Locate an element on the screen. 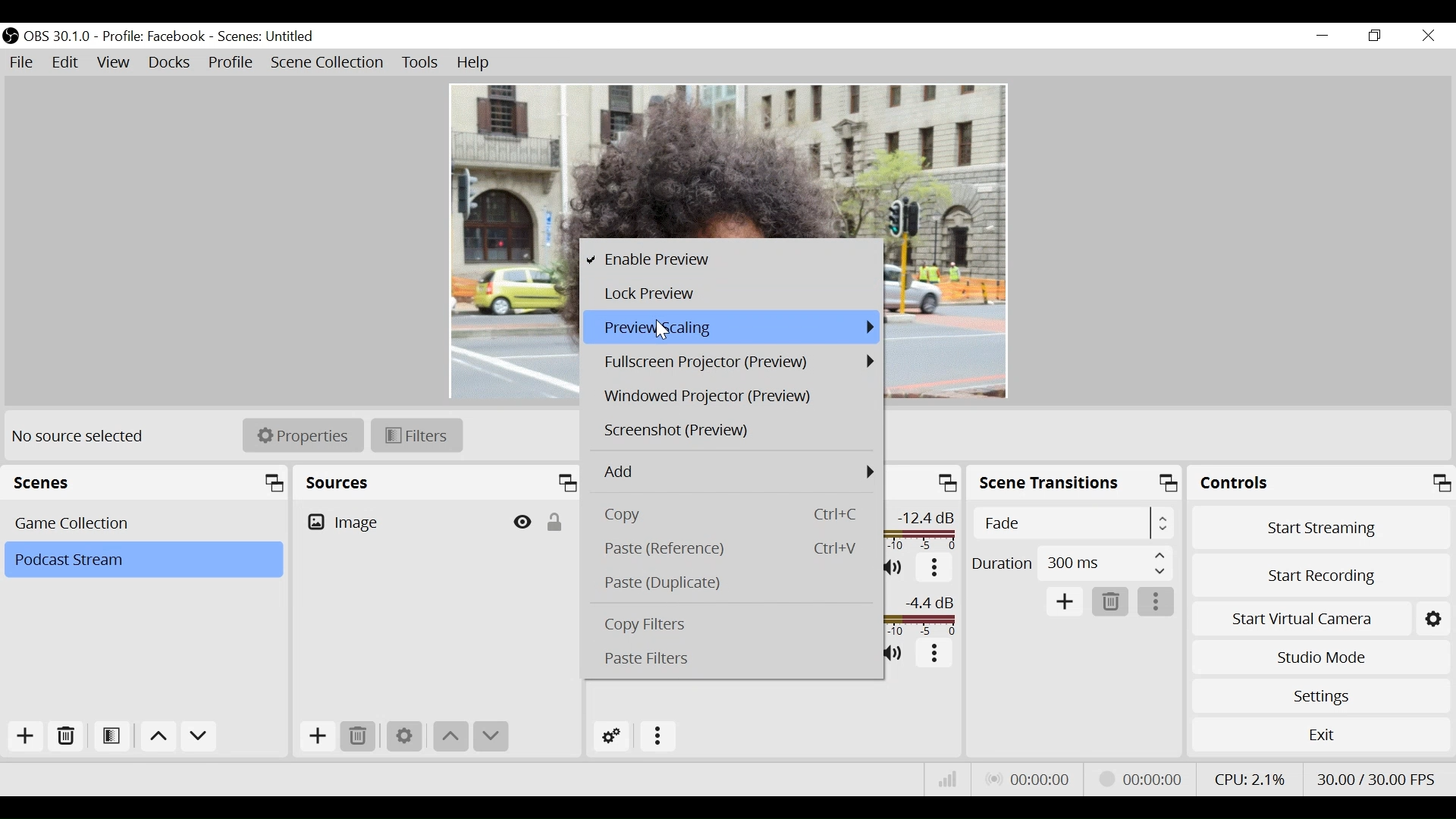 The height and width of the screenshot is (819, 1456). Frame Per Second is located at coordinates (1376, 780).